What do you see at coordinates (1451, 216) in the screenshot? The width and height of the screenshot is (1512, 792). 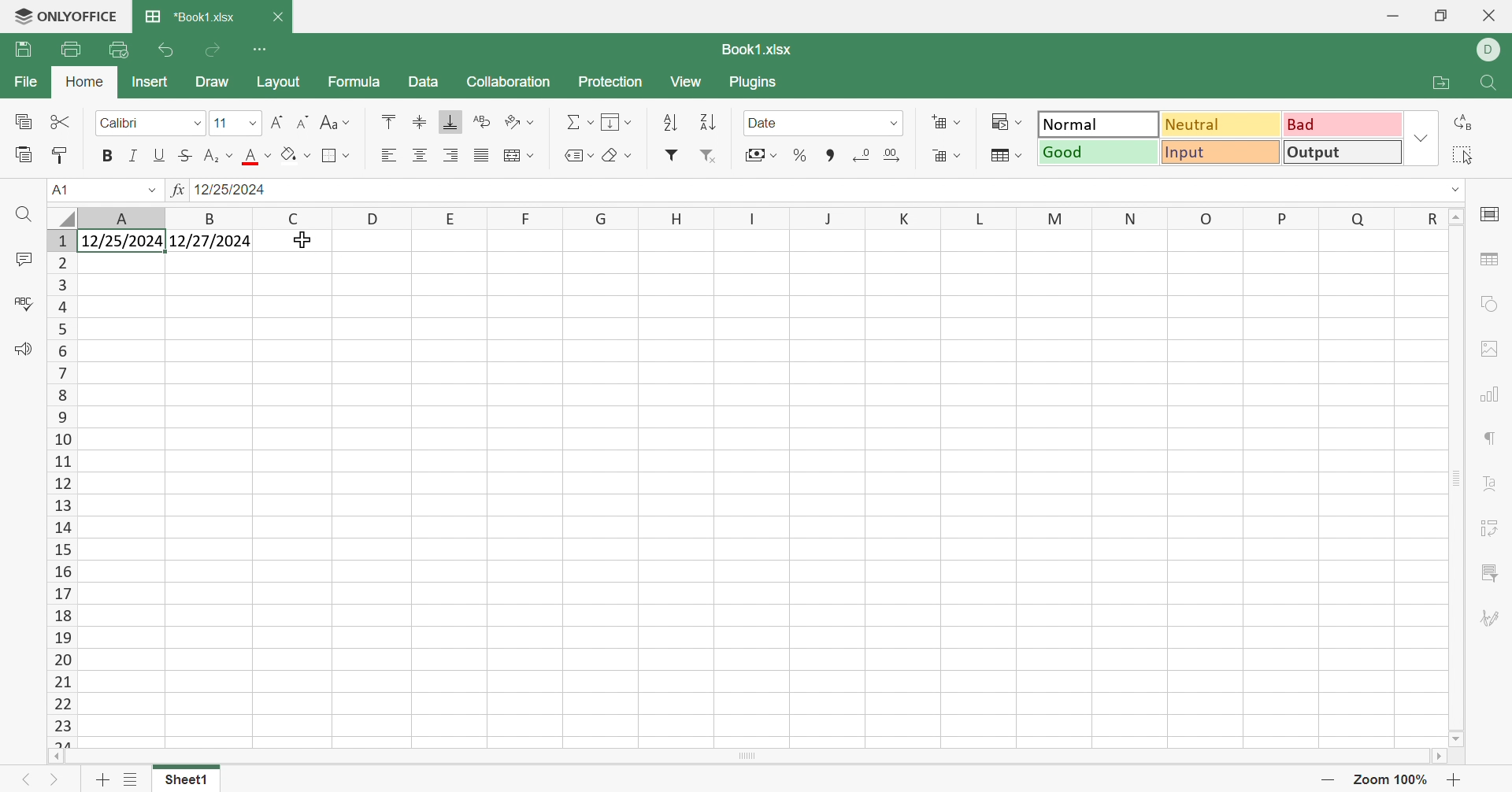 I see `Scroll Up` at bounding box center [1451, 216].